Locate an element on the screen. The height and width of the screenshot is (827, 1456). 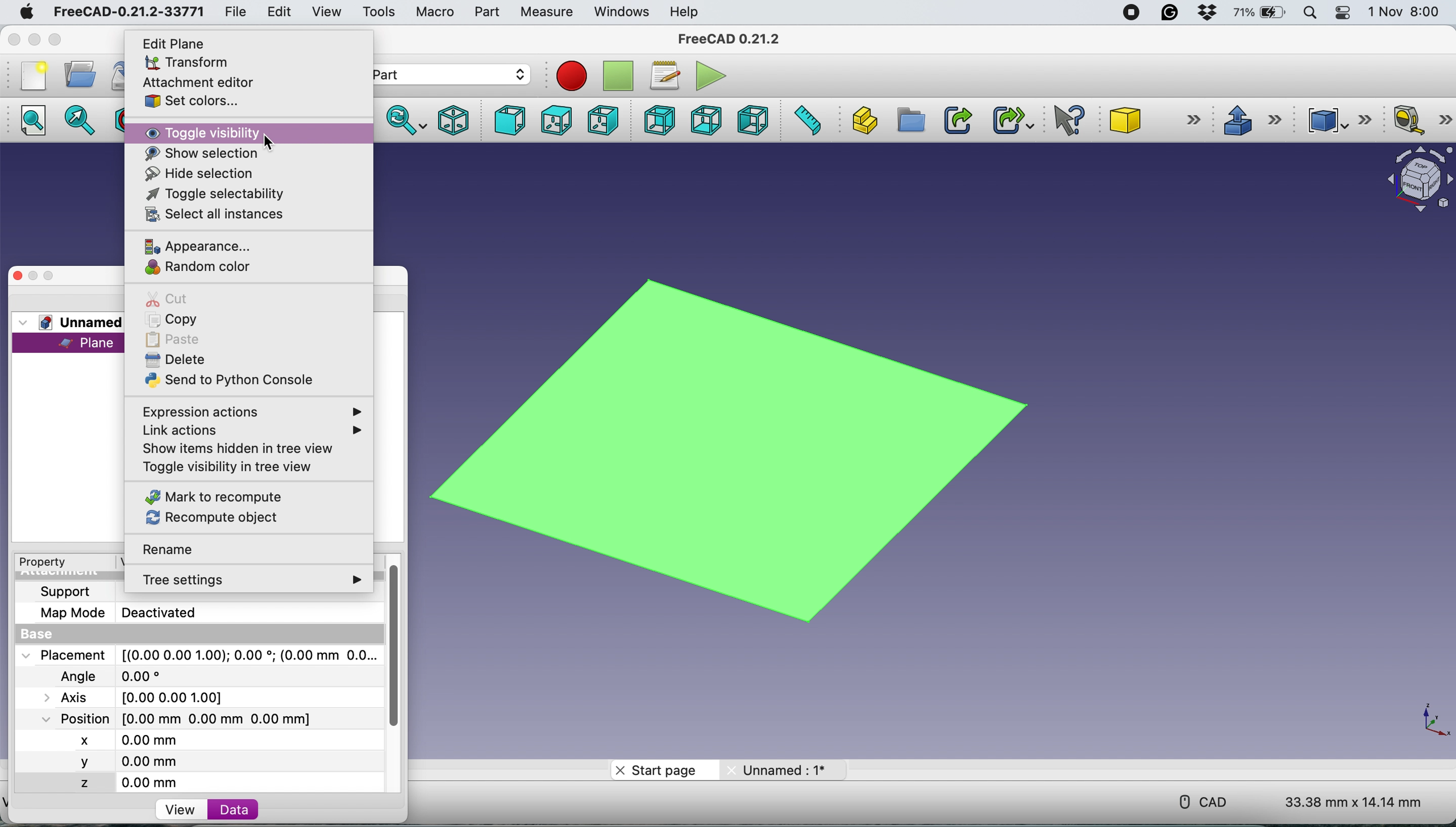
Axis [0.00 0.00 1.00] is located at coordinates (135, 696).